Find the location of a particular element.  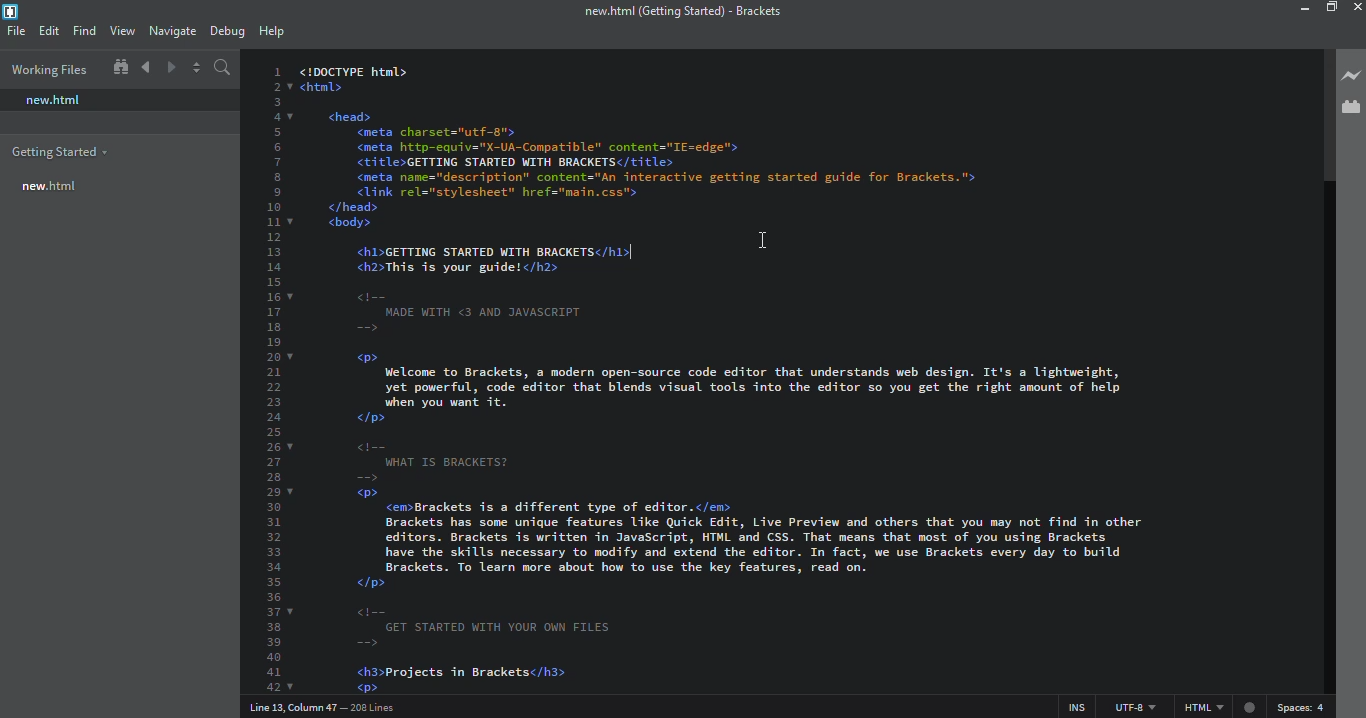

new is located at coordinates (50, 184).